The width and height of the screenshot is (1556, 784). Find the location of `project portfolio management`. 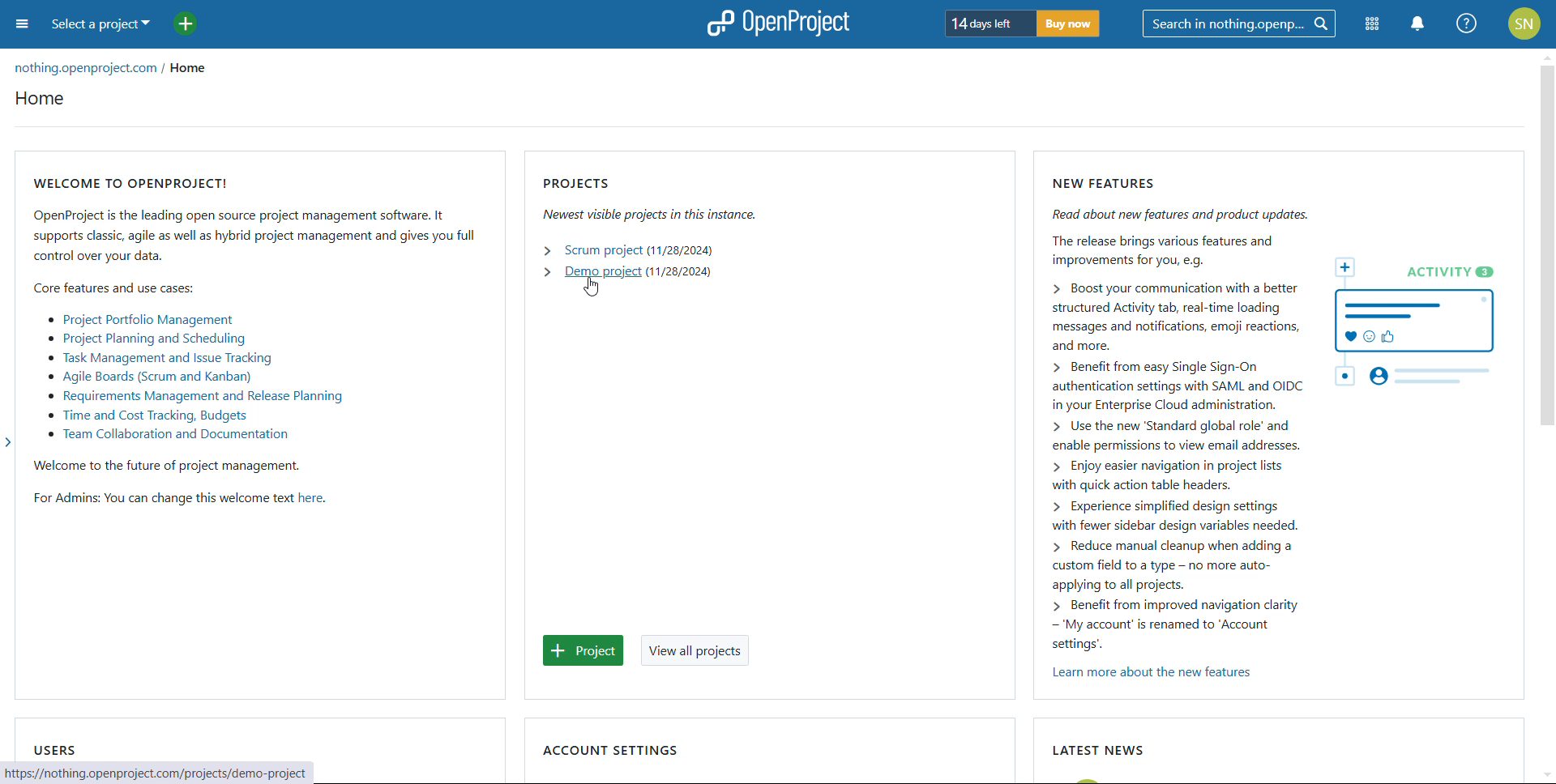

project portfolio management is located at coordinates (140, 320).